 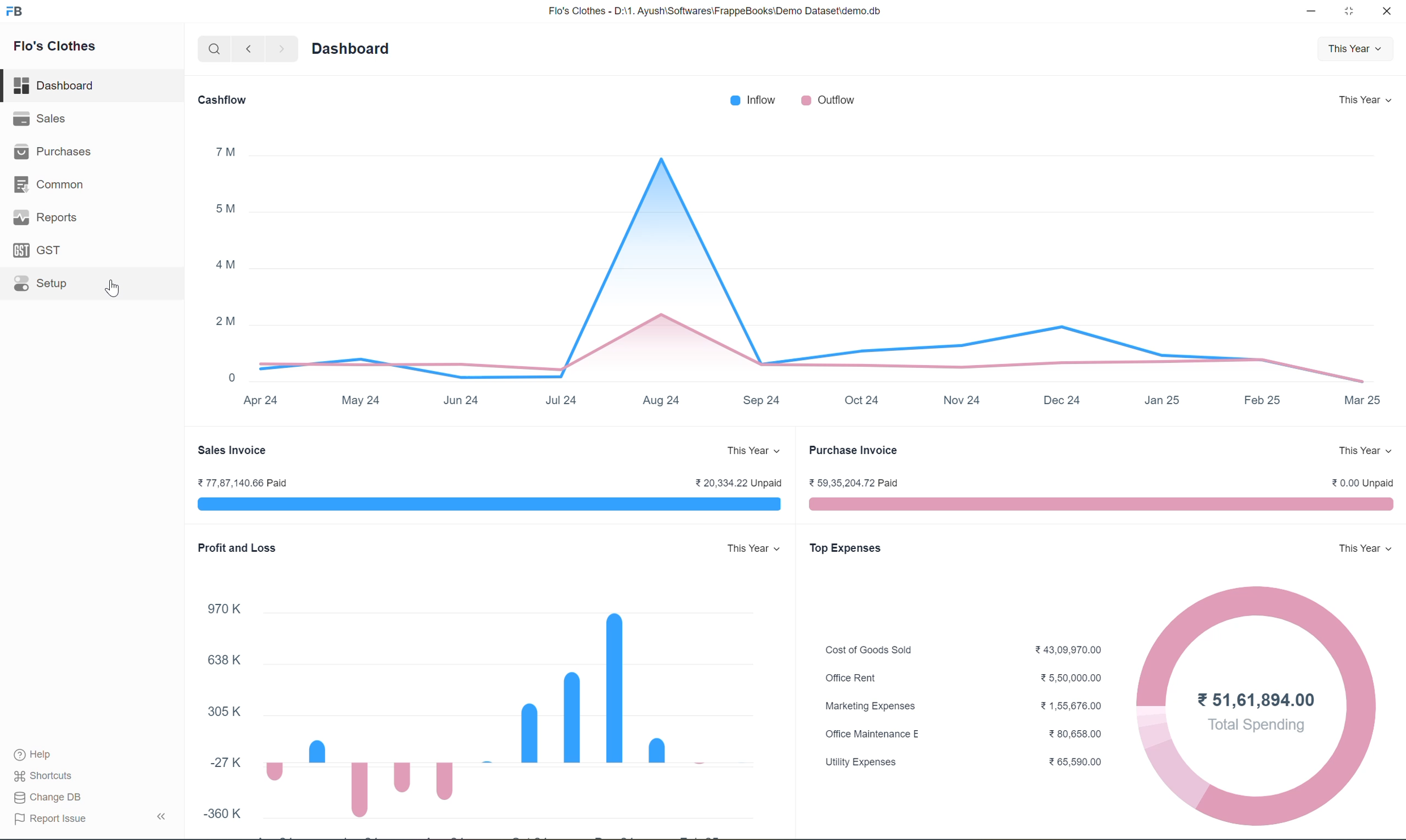 I want to click on This Year , so click(x=753, y=548).